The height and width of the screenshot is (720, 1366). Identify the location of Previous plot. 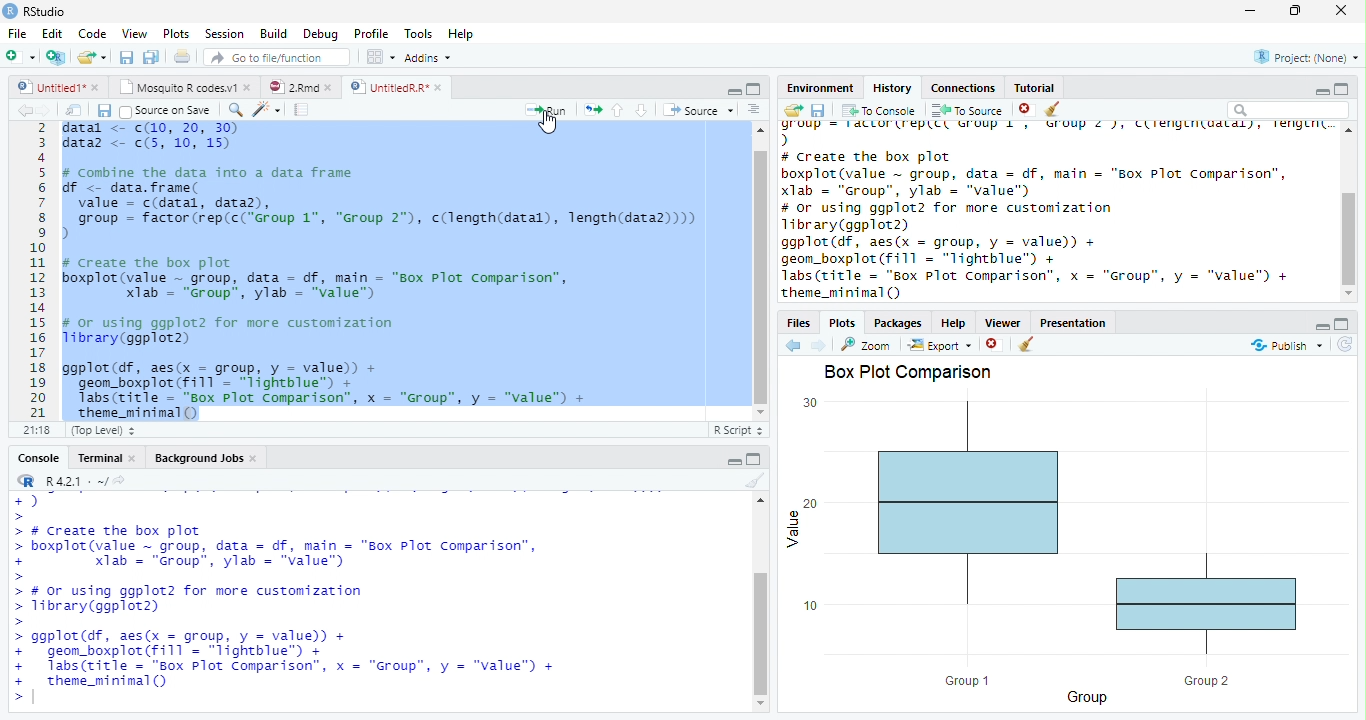
(793, 345).